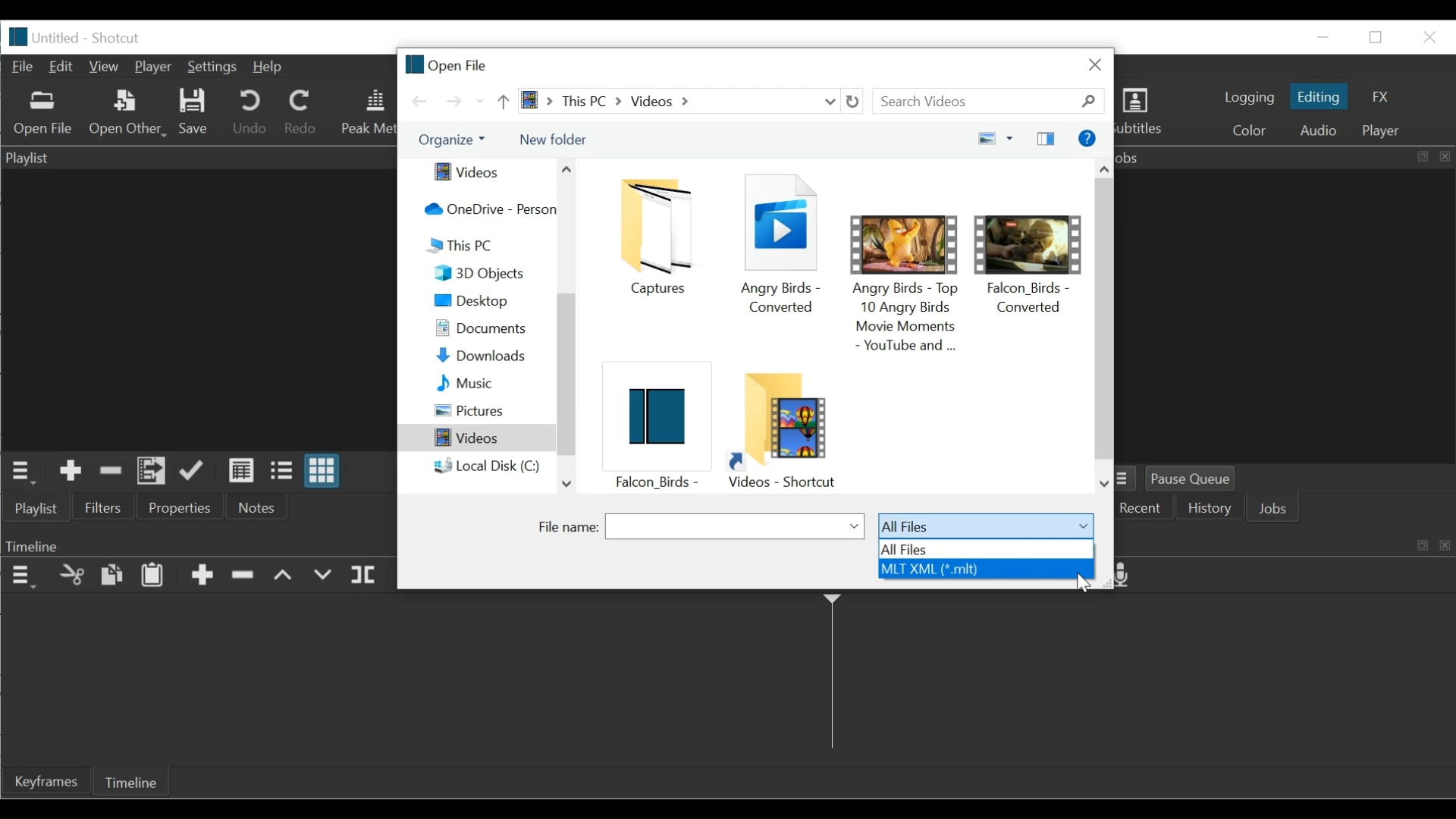 This screenshot has width=1456, height=819. What do you see at coordinates (151, 471) in the screenshot?
I see `Add the files to the playlist` at bounding box center [151, 471].